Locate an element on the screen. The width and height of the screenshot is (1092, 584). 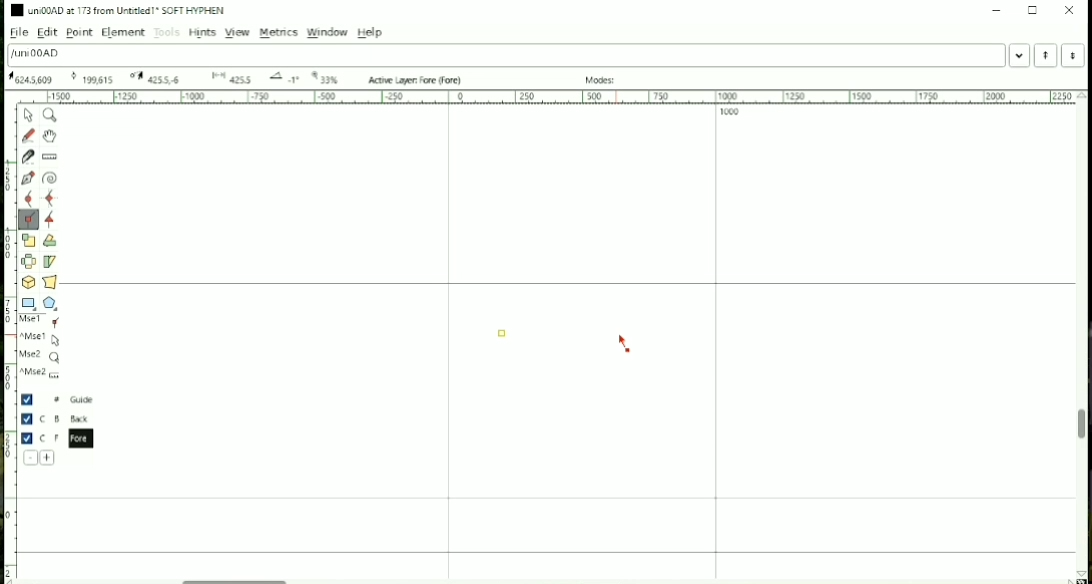
Add a corner point is located at coordinates (28, 220).